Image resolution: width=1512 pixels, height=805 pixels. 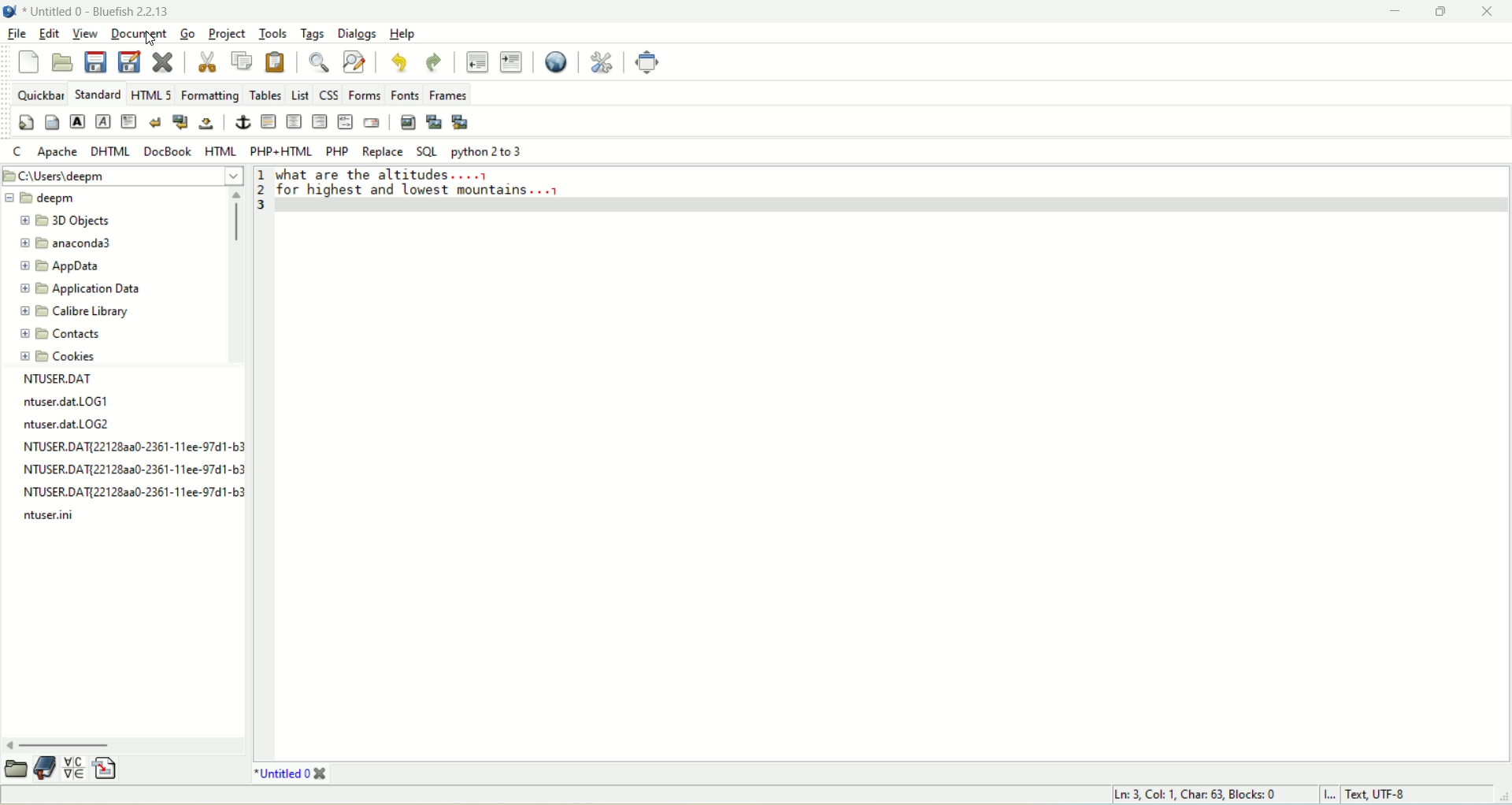 I want to click on frames, so click(x=447, y=93).